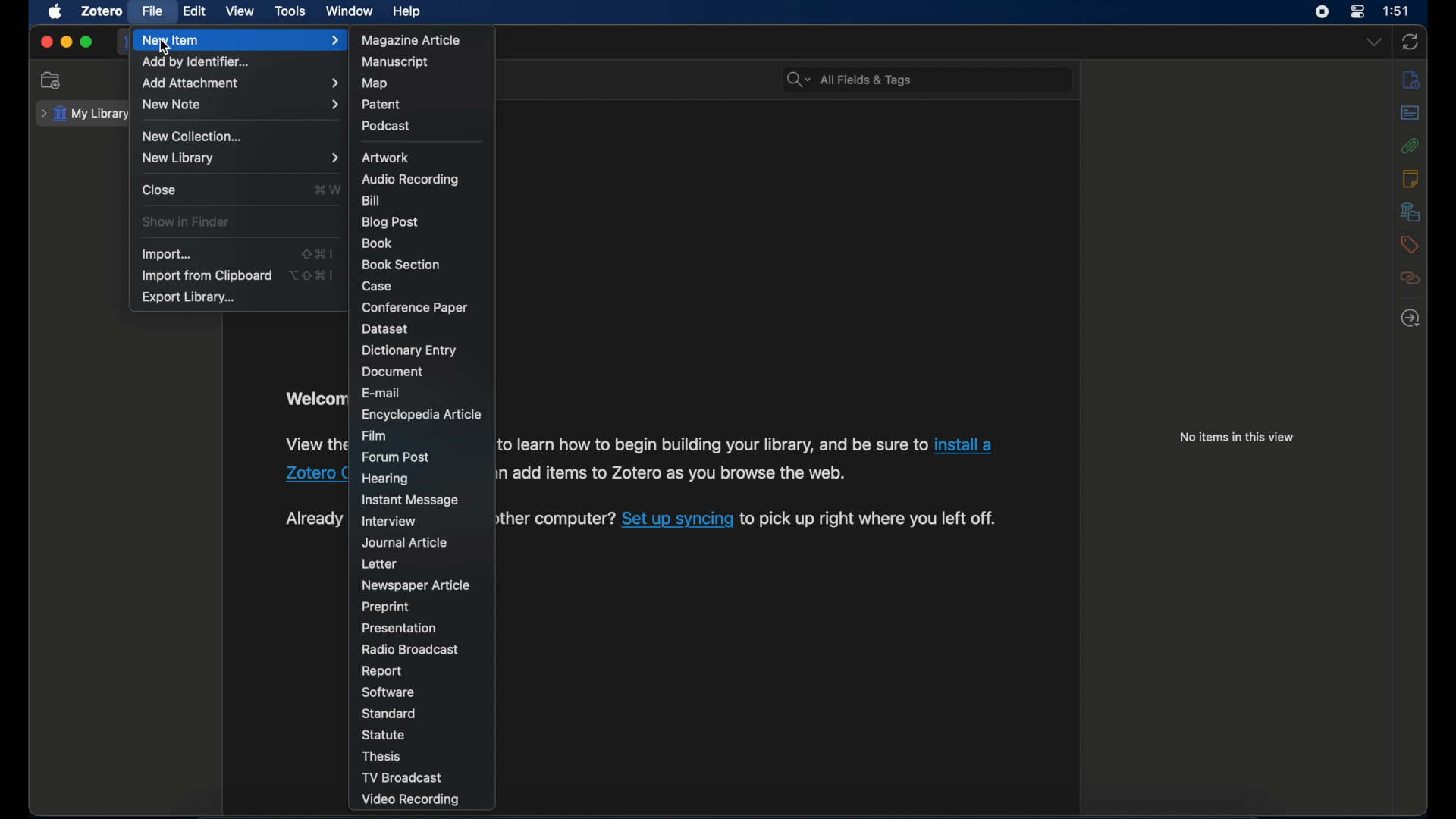  What do you see at coordinates (312, 400) in the screenshot?
I see `Welcom` at bounding box center [312, 400].